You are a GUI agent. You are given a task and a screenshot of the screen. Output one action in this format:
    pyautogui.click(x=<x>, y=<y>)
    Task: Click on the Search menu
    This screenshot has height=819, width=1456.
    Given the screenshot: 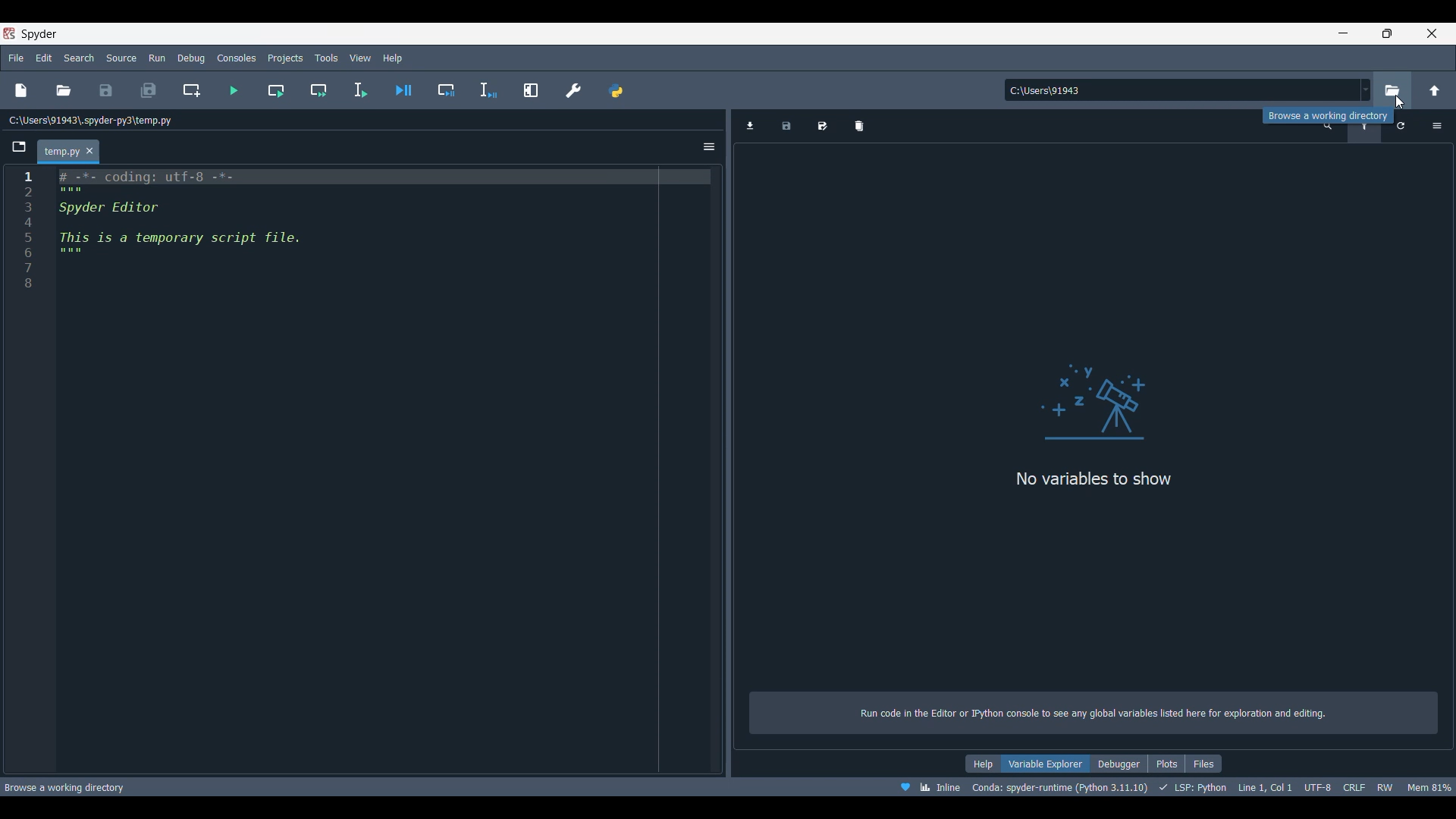 What is the action you would take?
    pyautogui.click(x=78, y=58)
    